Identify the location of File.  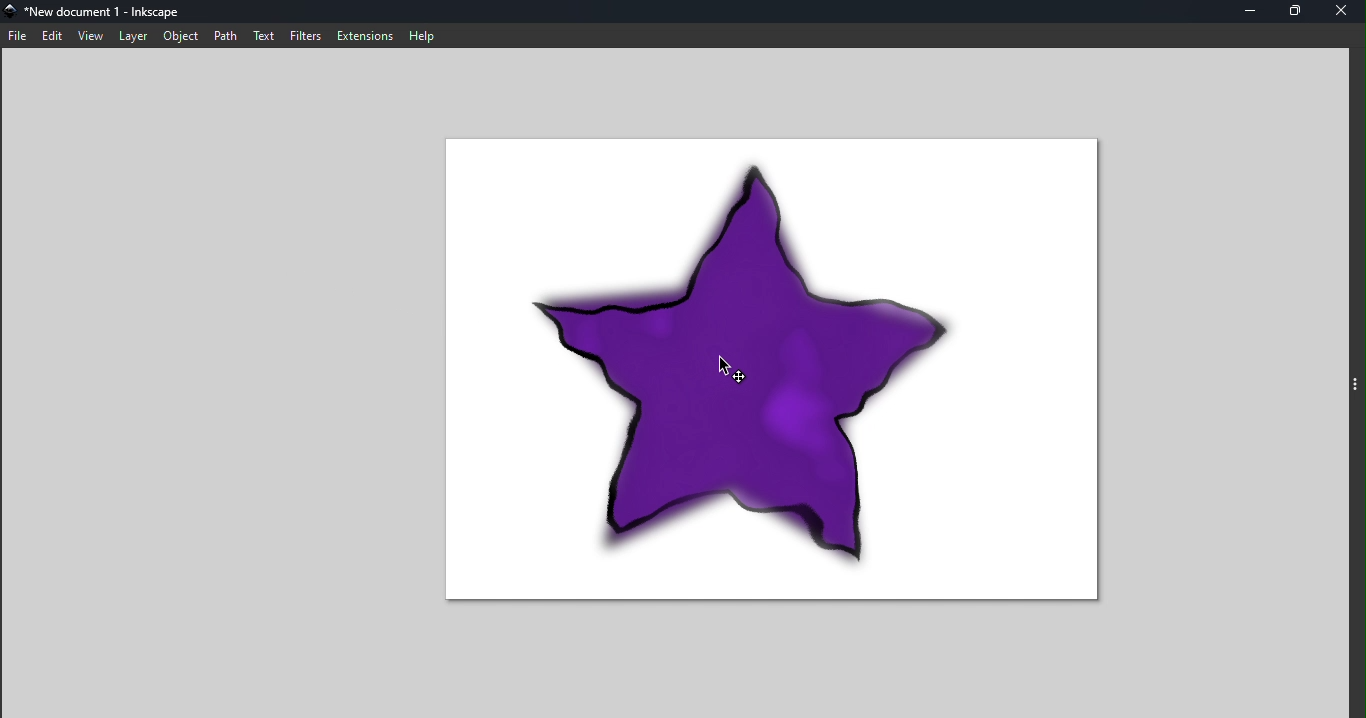
(18, 33).